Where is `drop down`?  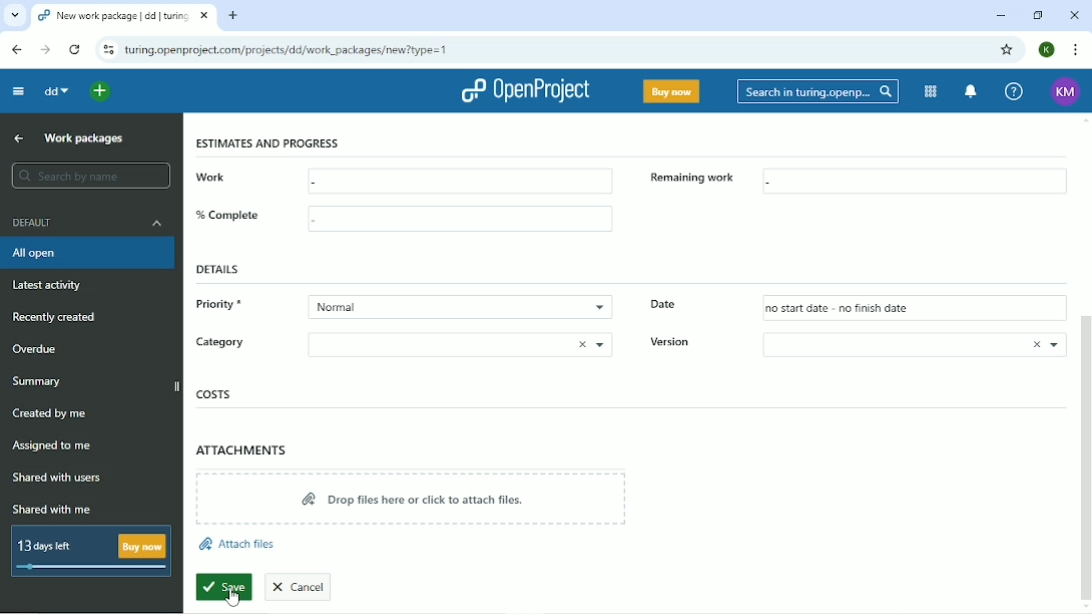
drop down is located at coordinates (601, 345).